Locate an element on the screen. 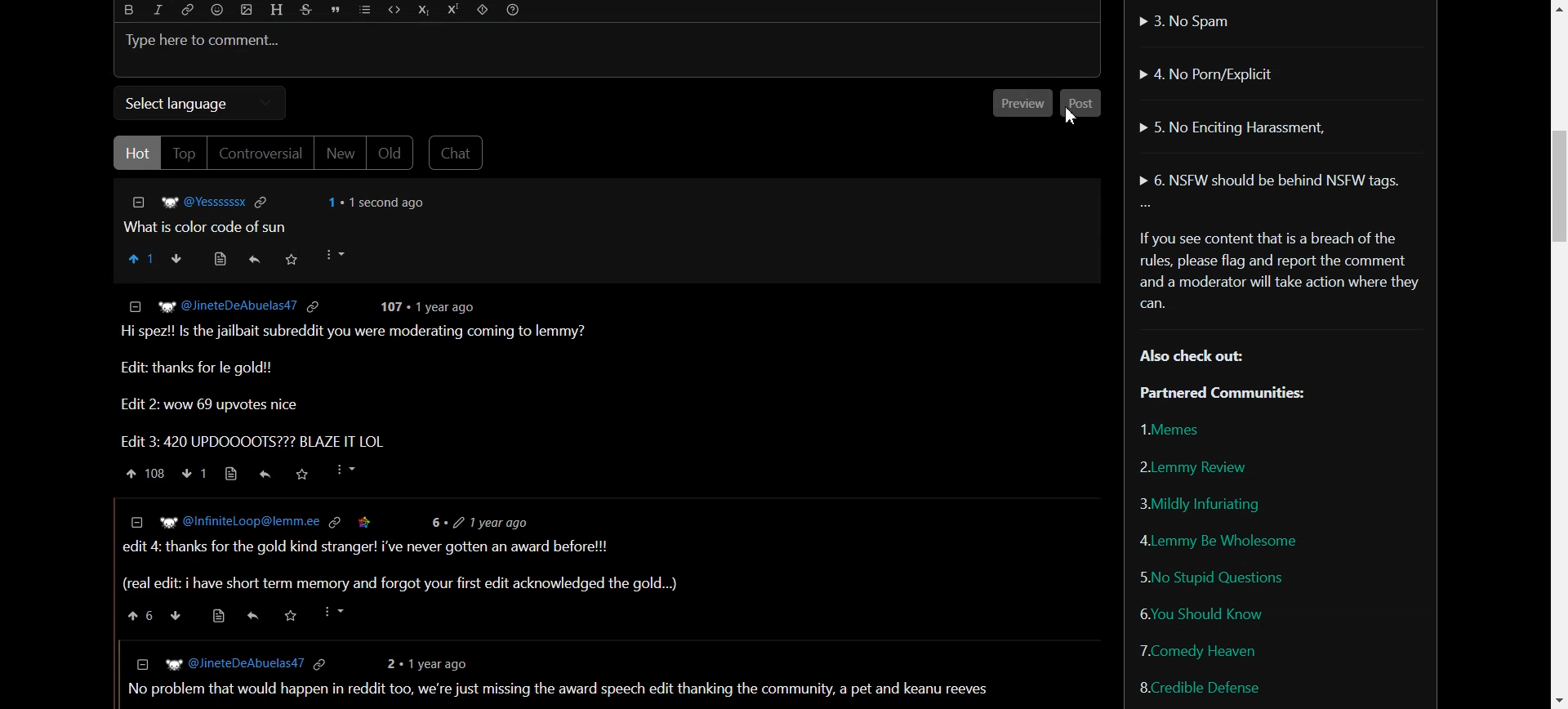 This screenshot has height=709, width=1568. New is located at coordinates (340, 153).